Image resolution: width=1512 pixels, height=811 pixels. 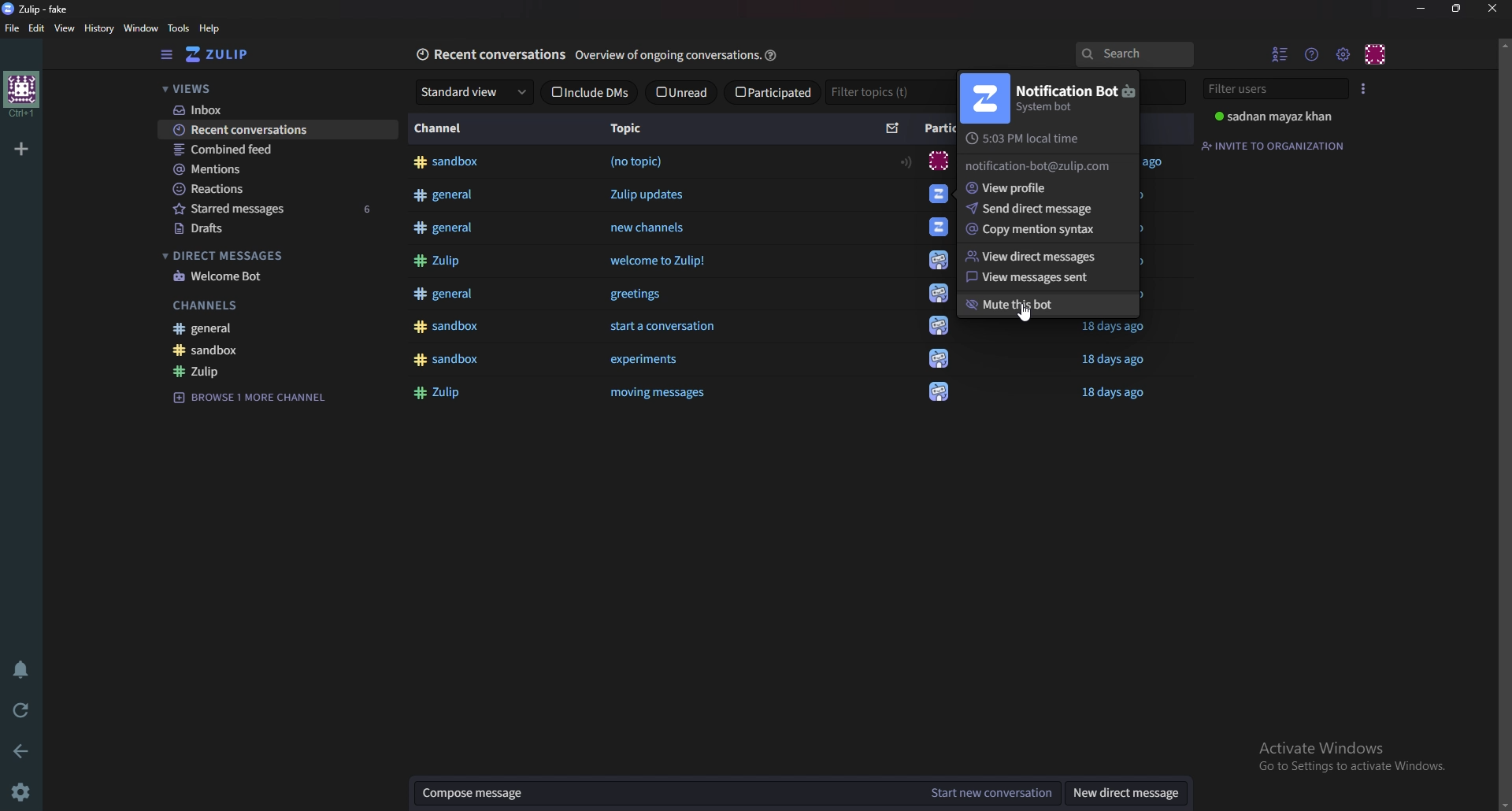 What do you see at coordinates (1273, 117) in the screenshot?
I see `sadnan mayaz khan` at bounding box center [1273, 117].